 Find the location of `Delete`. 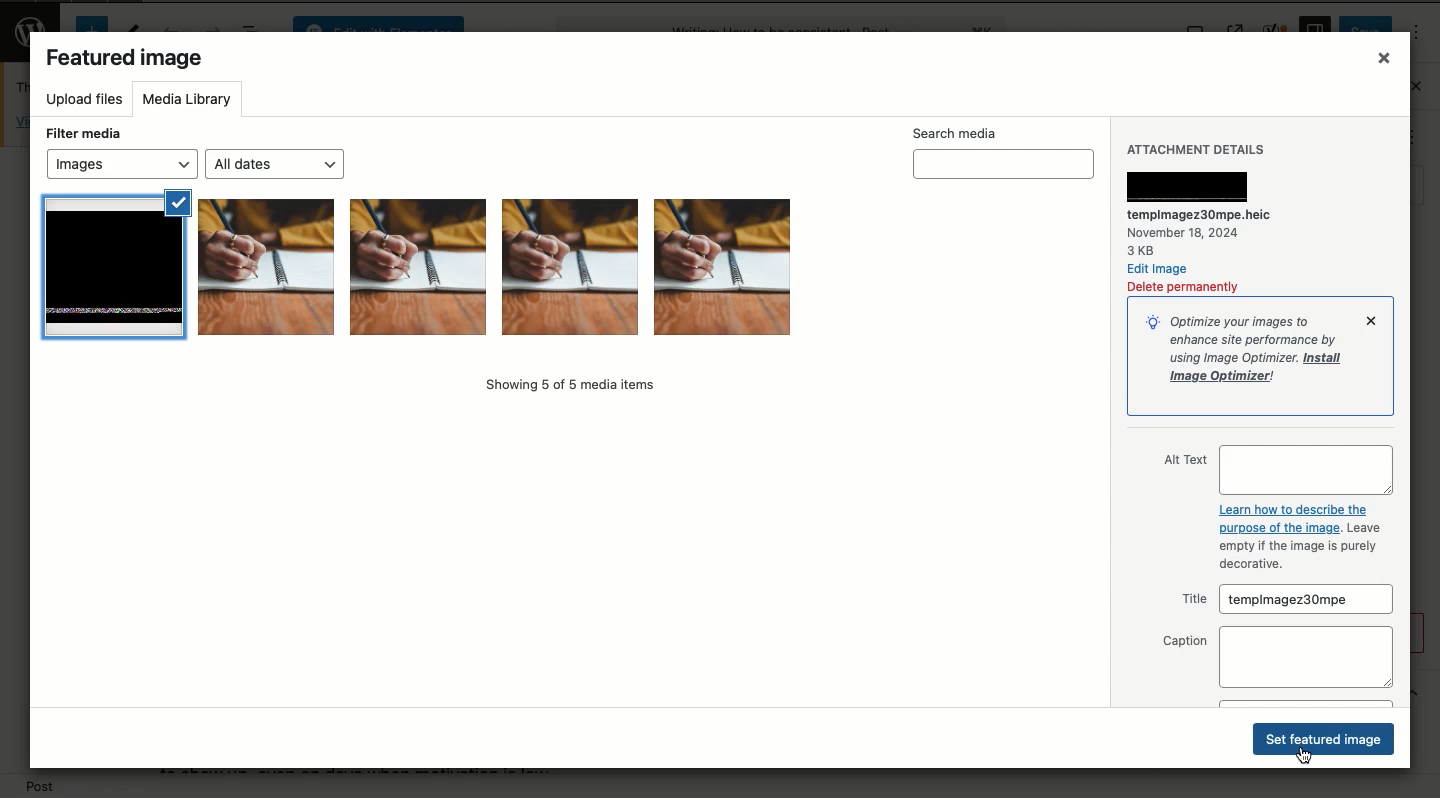

Delete is located at coordinates (1198, 288).